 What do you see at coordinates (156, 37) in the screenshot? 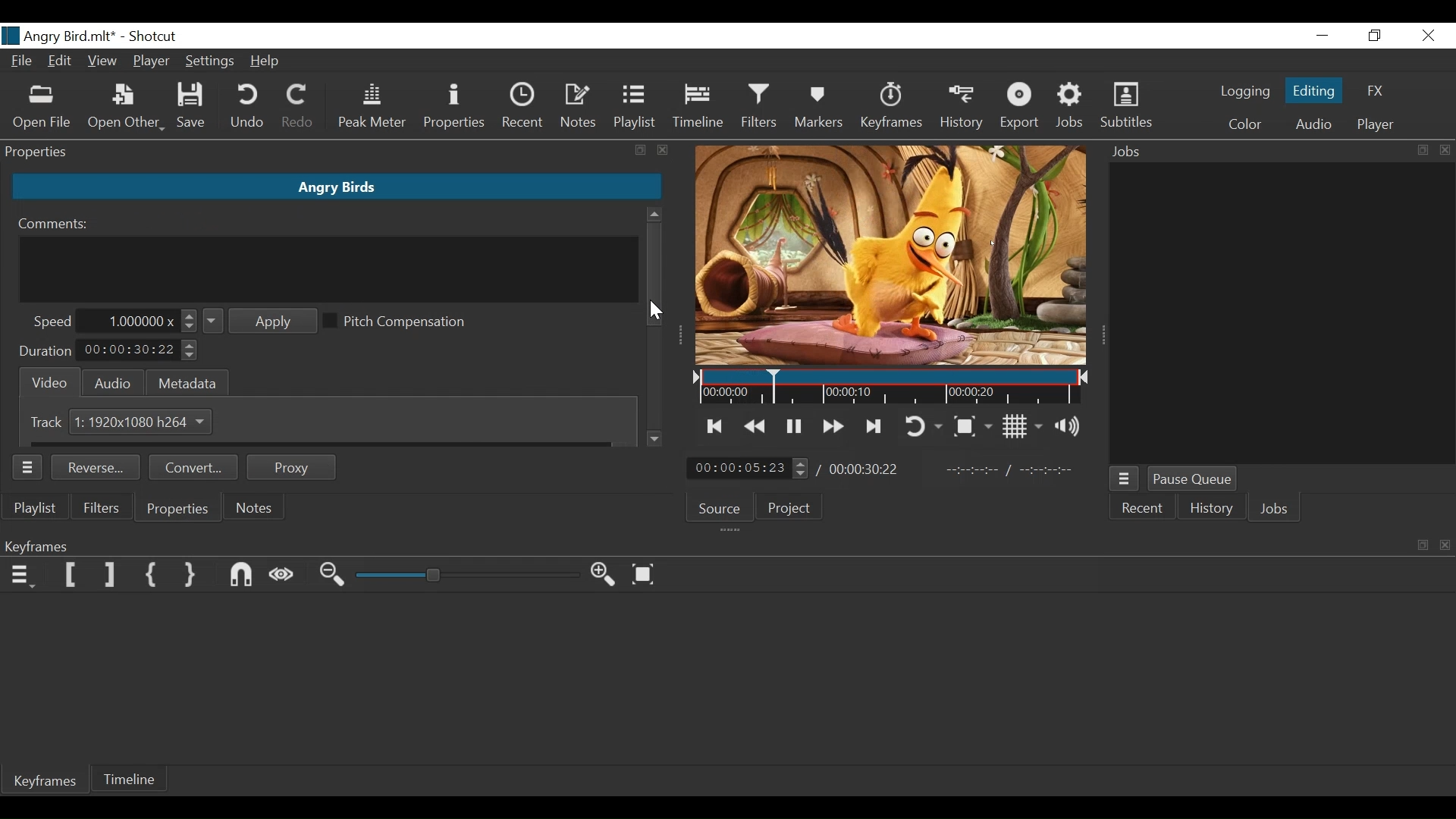
I see `Shotcut` at bounding box center [156, 37].